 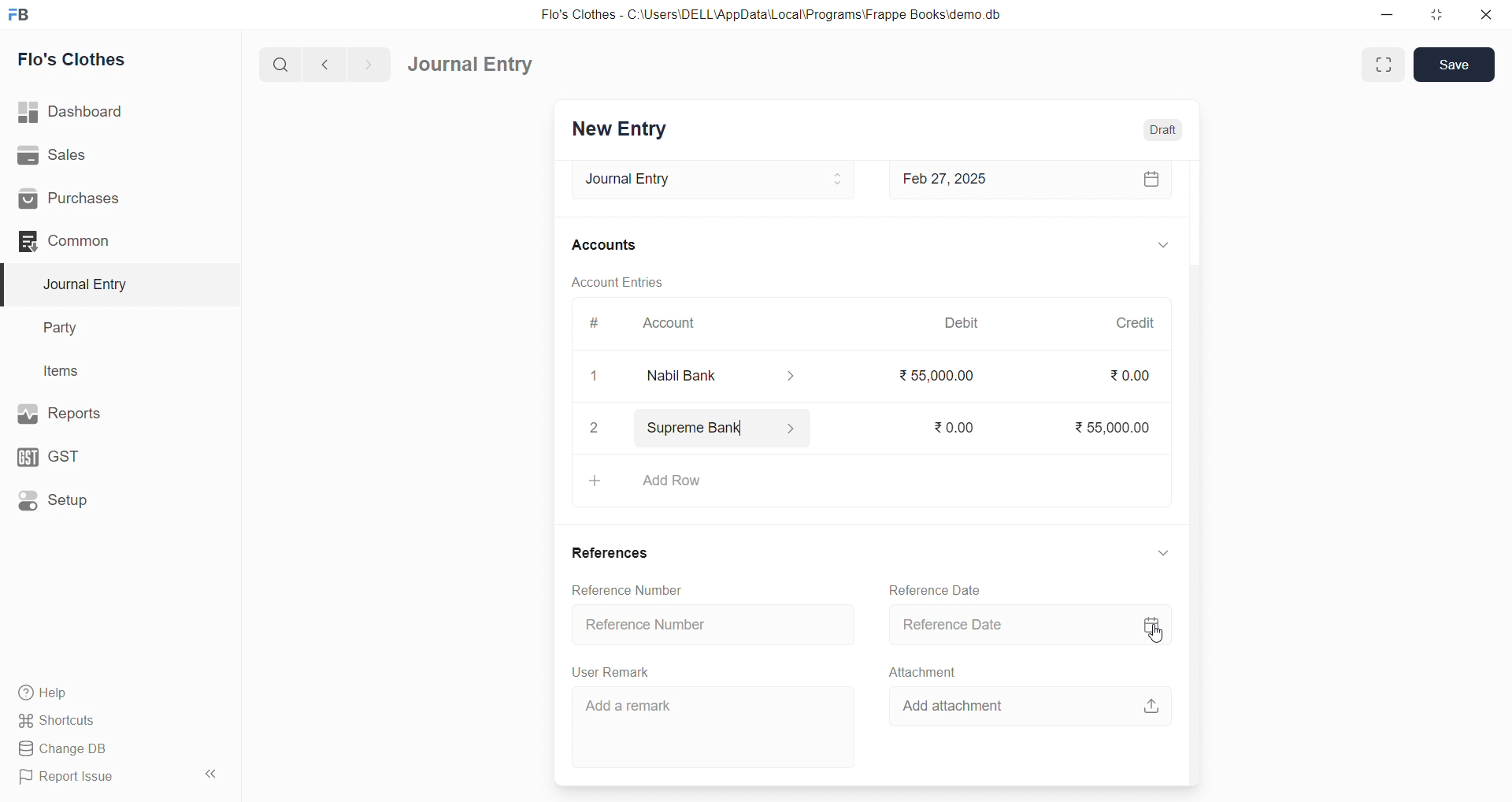 I want to click on Credit, so click(x=1135, y=320).